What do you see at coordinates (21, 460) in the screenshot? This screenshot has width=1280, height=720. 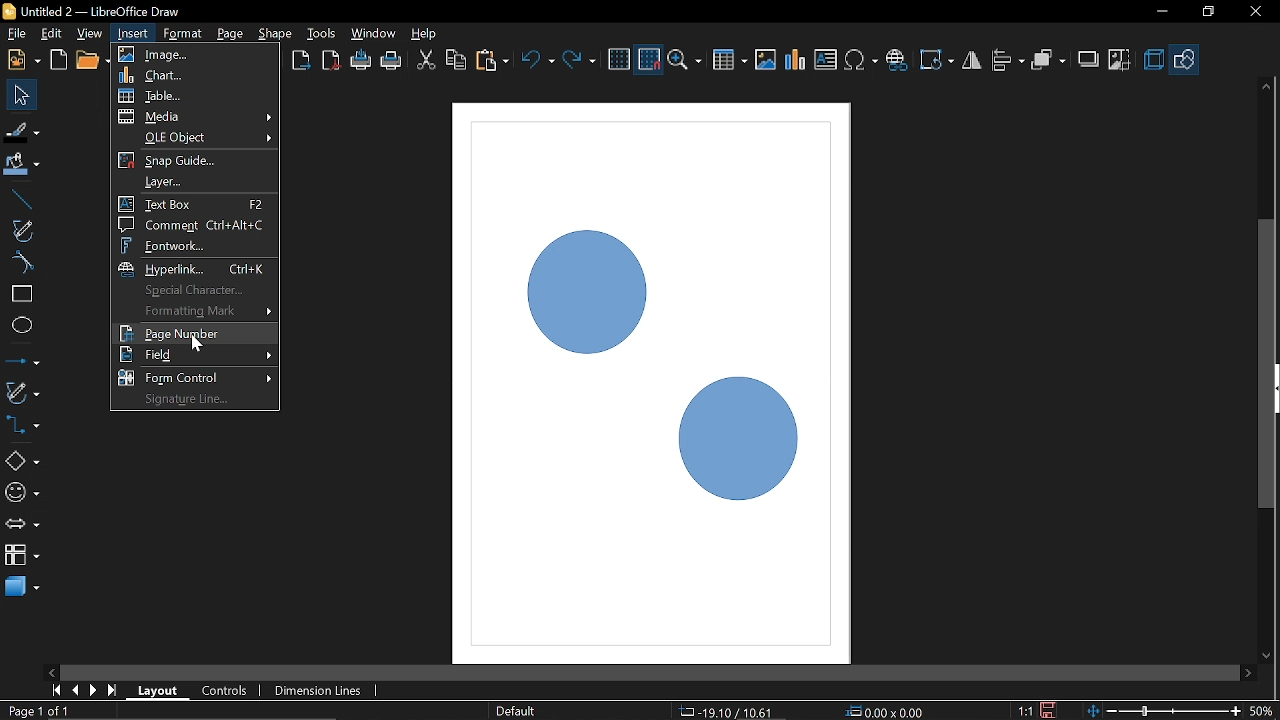 I see `Shapes` at bounding box center [21, 460].